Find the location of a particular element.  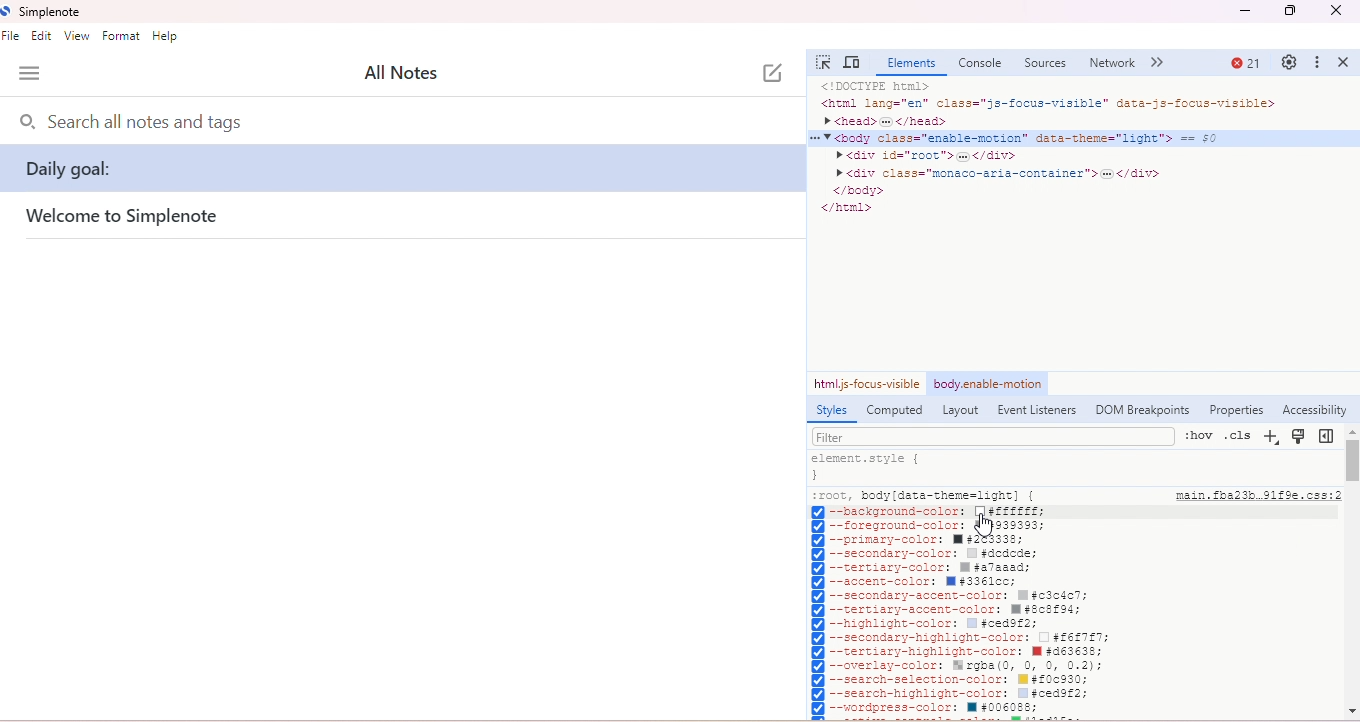

search bar is located at coordinates (207, 123).